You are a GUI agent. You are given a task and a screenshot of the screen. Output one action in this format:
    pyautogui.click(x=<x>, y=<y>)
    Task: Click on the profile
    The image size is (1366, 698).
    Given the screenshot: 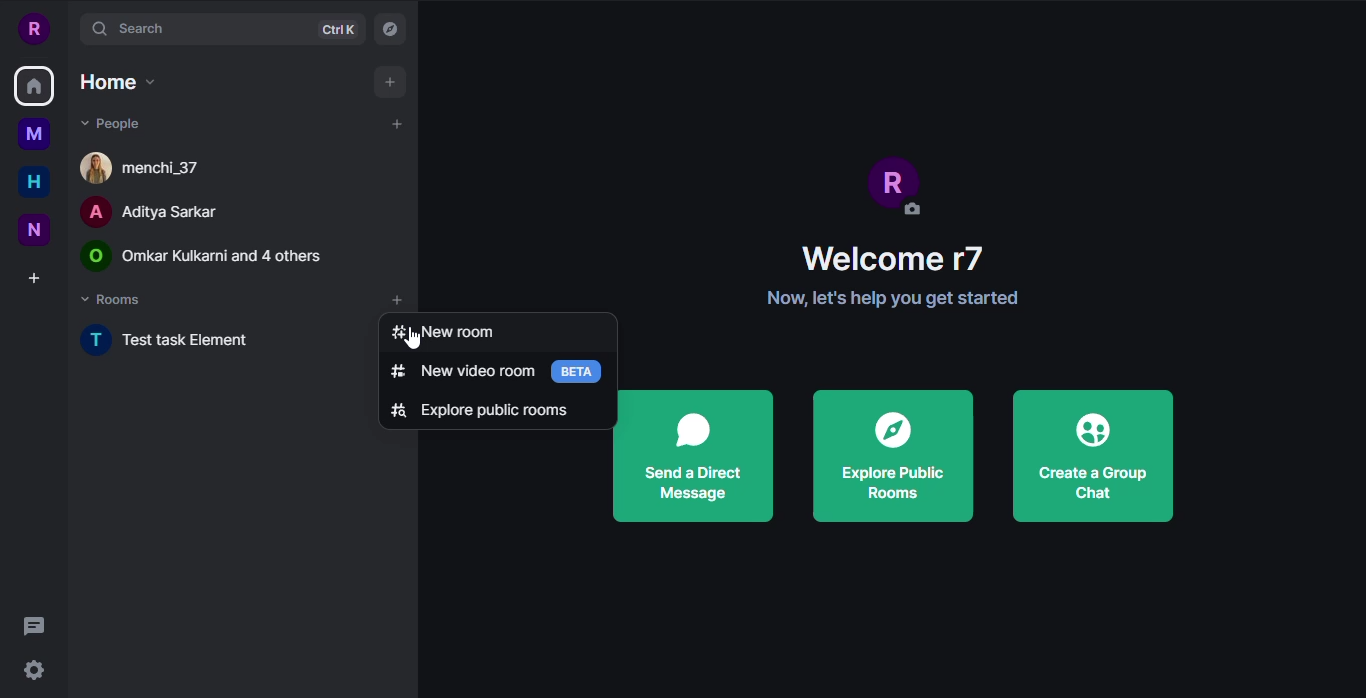 What is the action you would take?
    pyautogui.click(x=32, y=27)
    